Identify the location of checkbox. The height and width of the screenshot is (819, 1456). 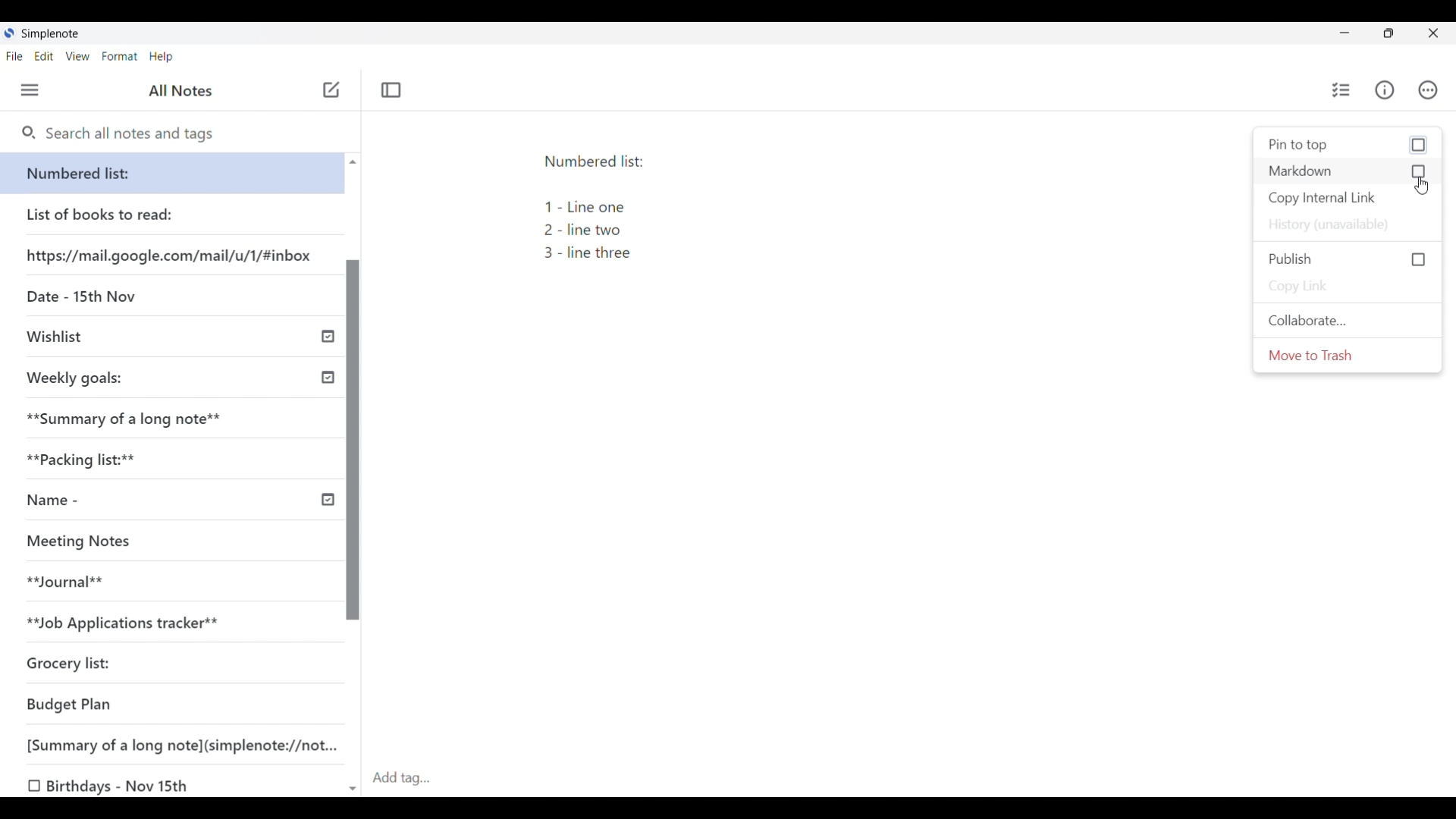
(33, 784).